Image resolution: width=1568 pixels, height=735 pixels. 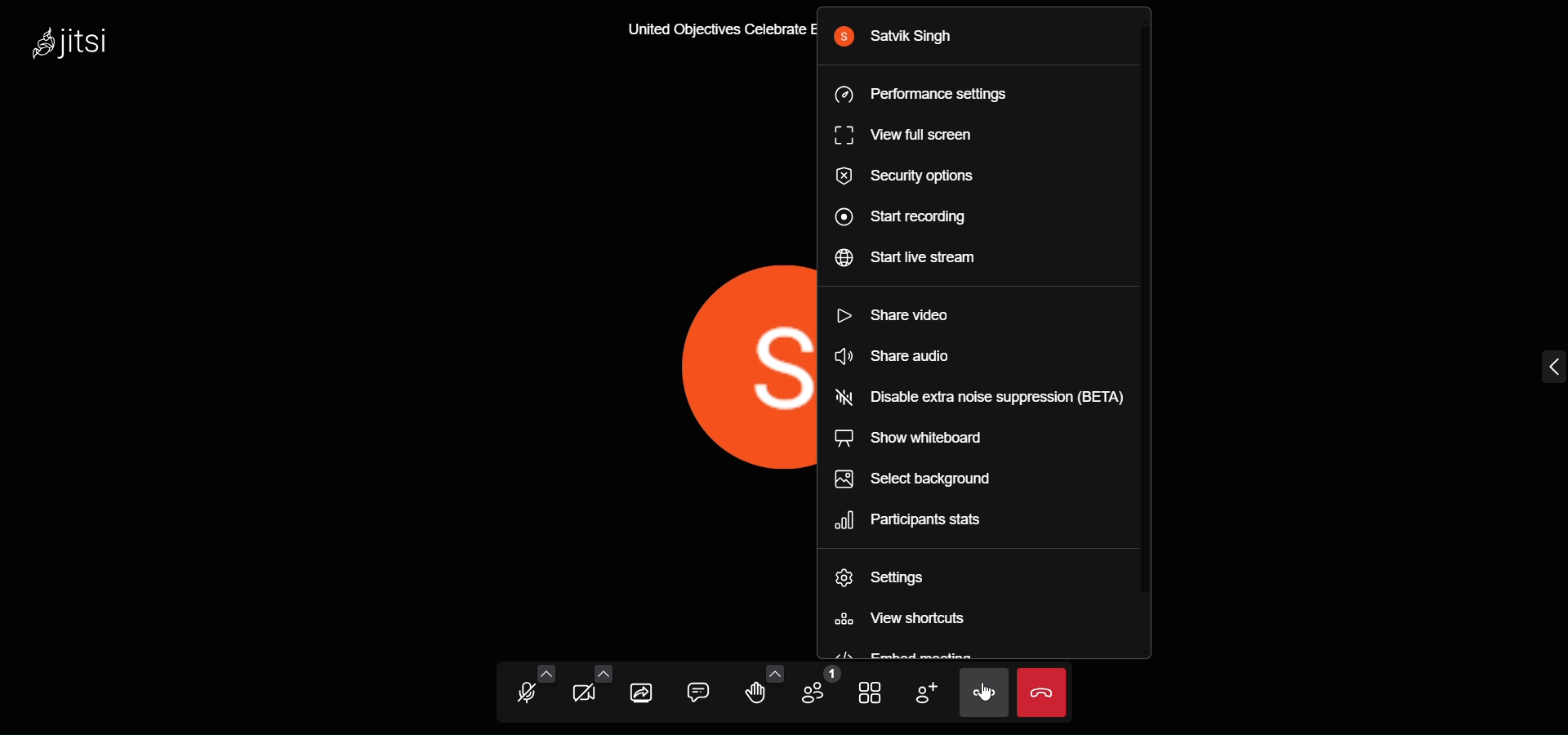 I want to click on more video options, so click(x=604, y=673).